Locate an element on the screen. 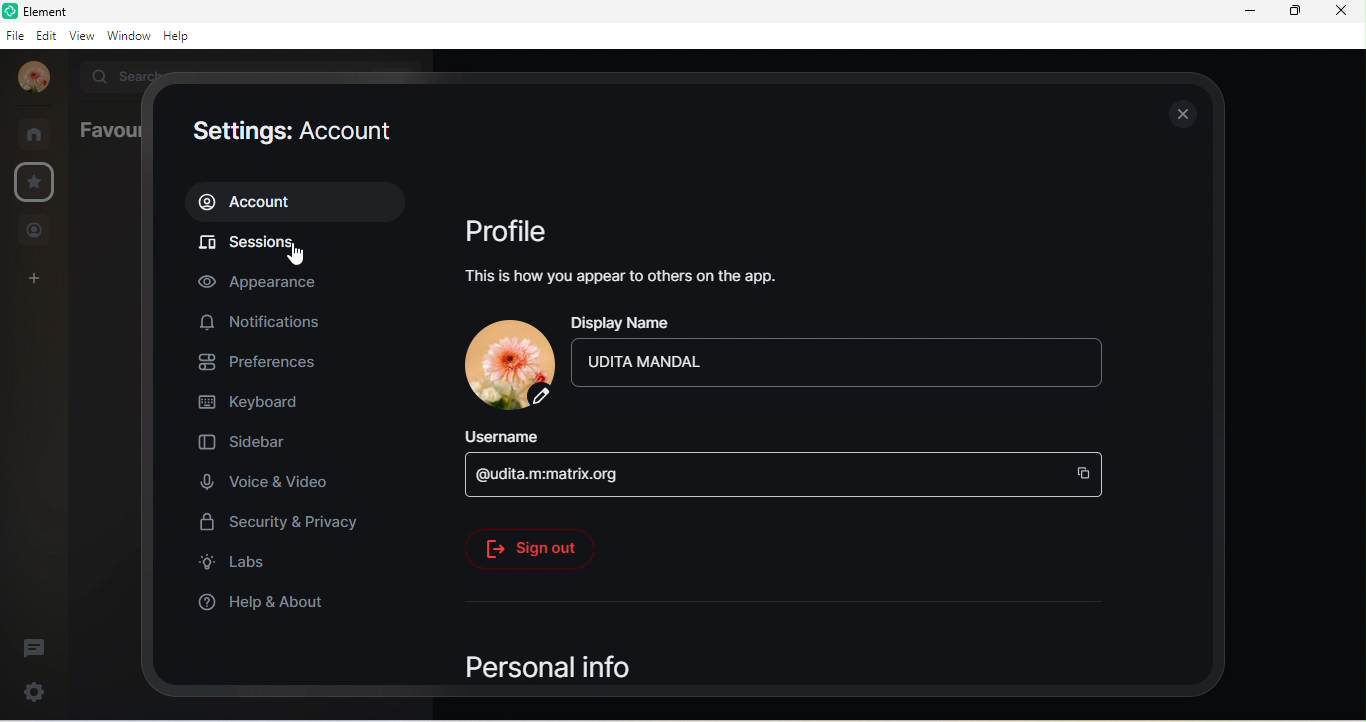  close is located at coordinates (1178, 113).